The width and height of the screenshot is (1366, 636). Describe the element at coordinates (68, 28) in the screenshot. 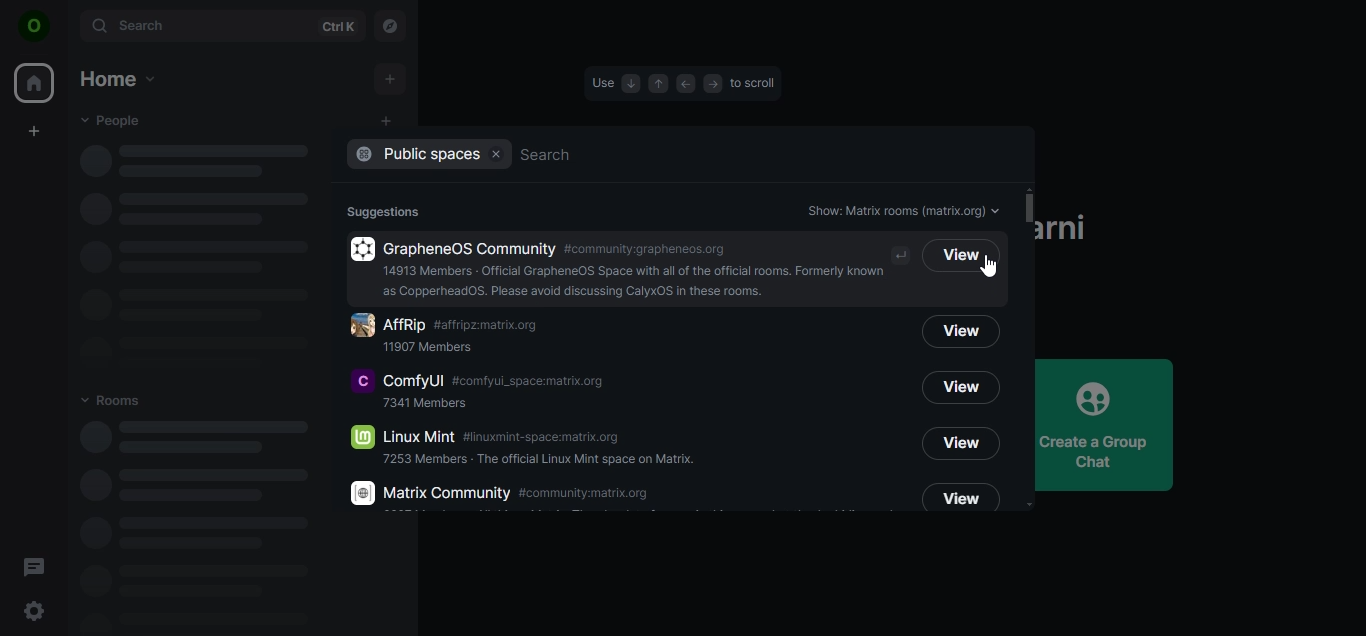

I see `expand` at that location.